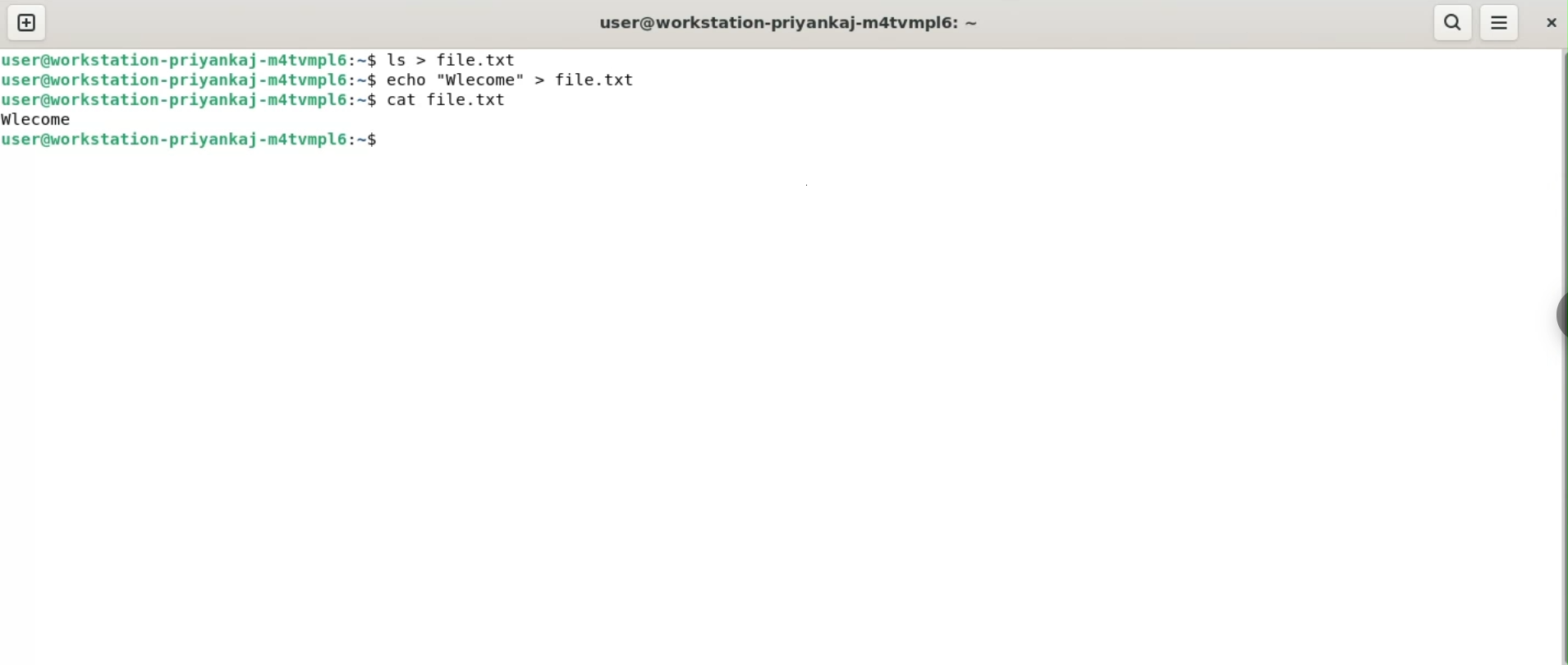  What do you see at coordinates (1500, 23) in the screenshot?
I see `menu` at bounding box center [1500, 23].